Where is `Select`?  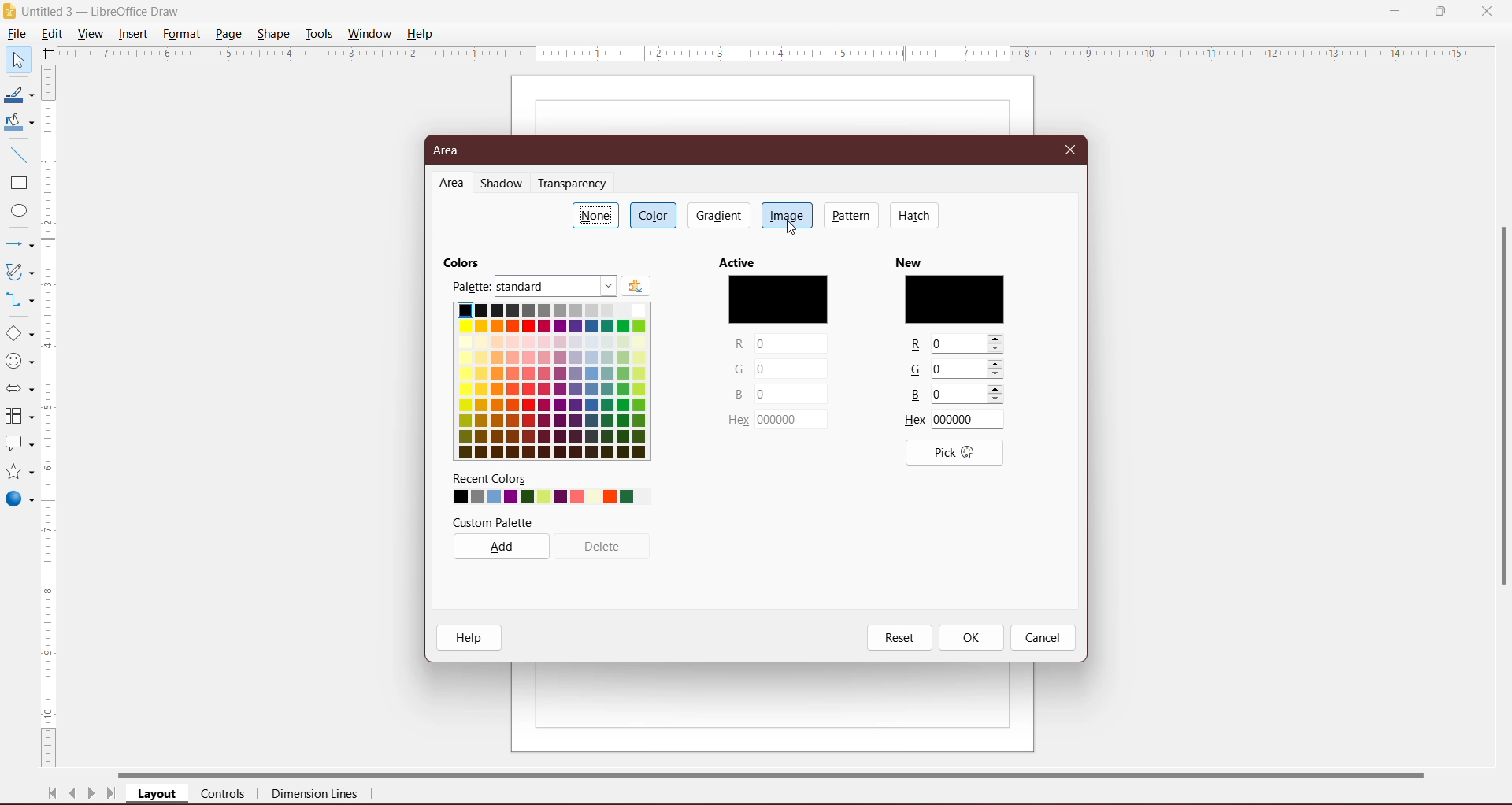 Select is located at coordinates (17, 59).